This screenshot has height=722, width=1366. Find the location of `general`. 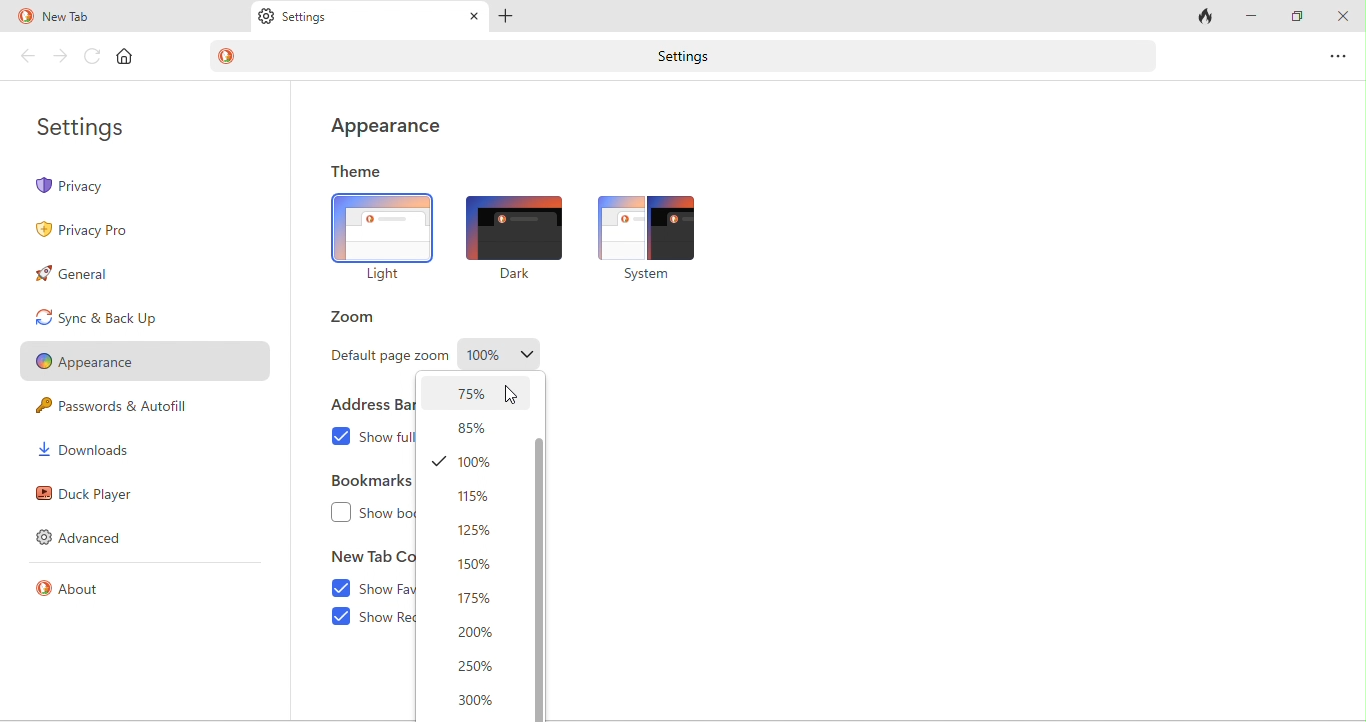

general is located at coordinates (102, 275).